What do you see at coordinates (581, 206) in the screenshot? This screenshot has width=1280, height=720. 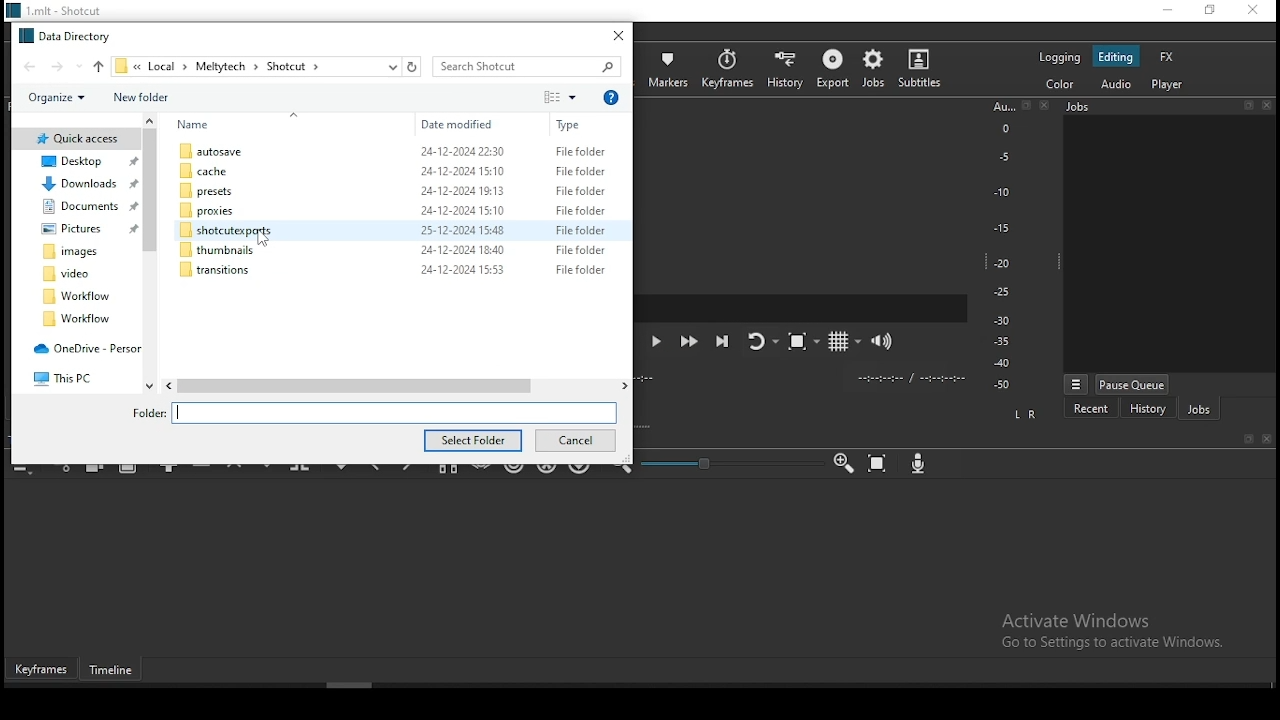 I see `File type` at bounding box center [581, 206].